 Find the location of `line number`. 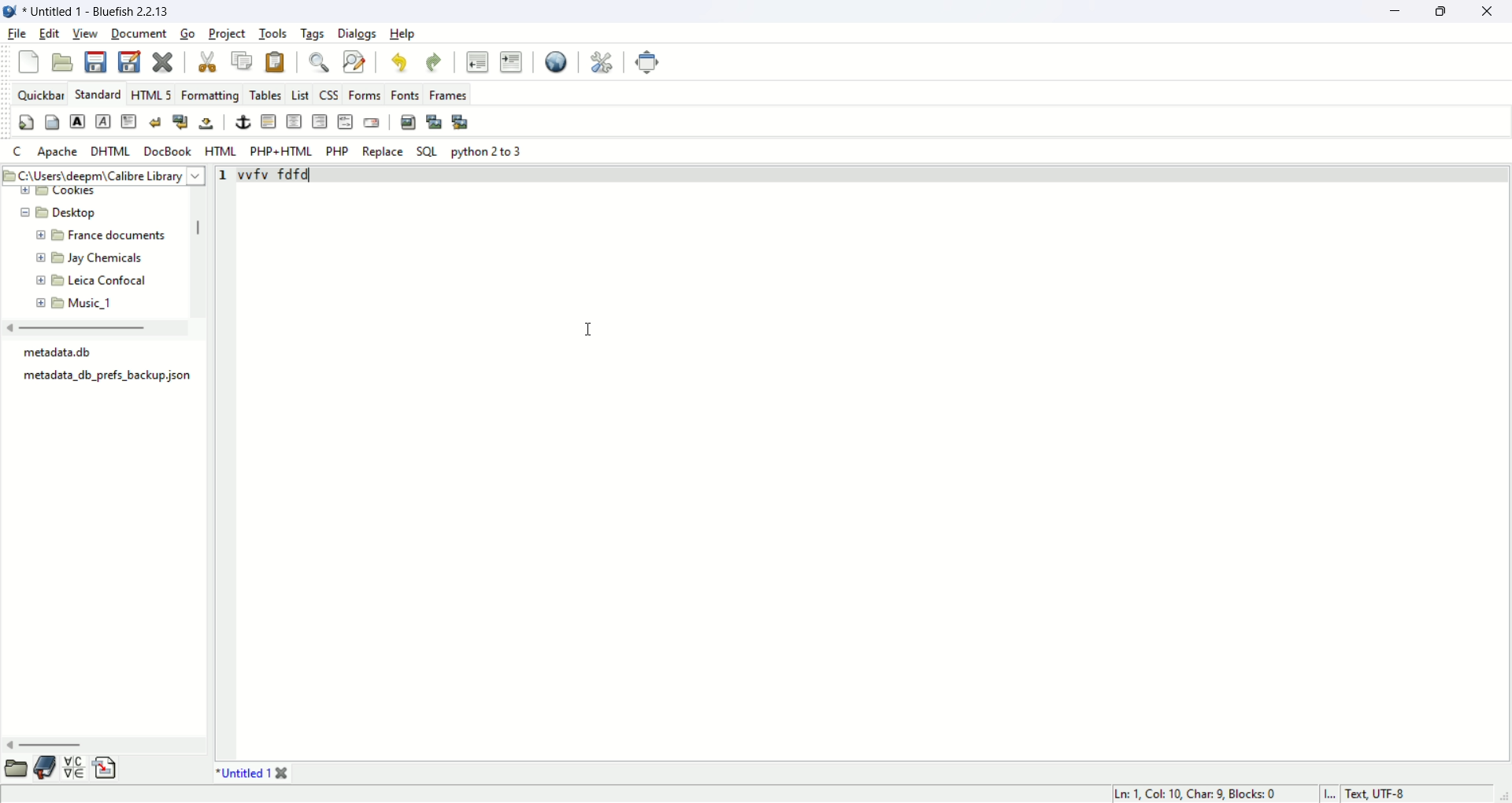

line number is located at coordinates (225, 174).